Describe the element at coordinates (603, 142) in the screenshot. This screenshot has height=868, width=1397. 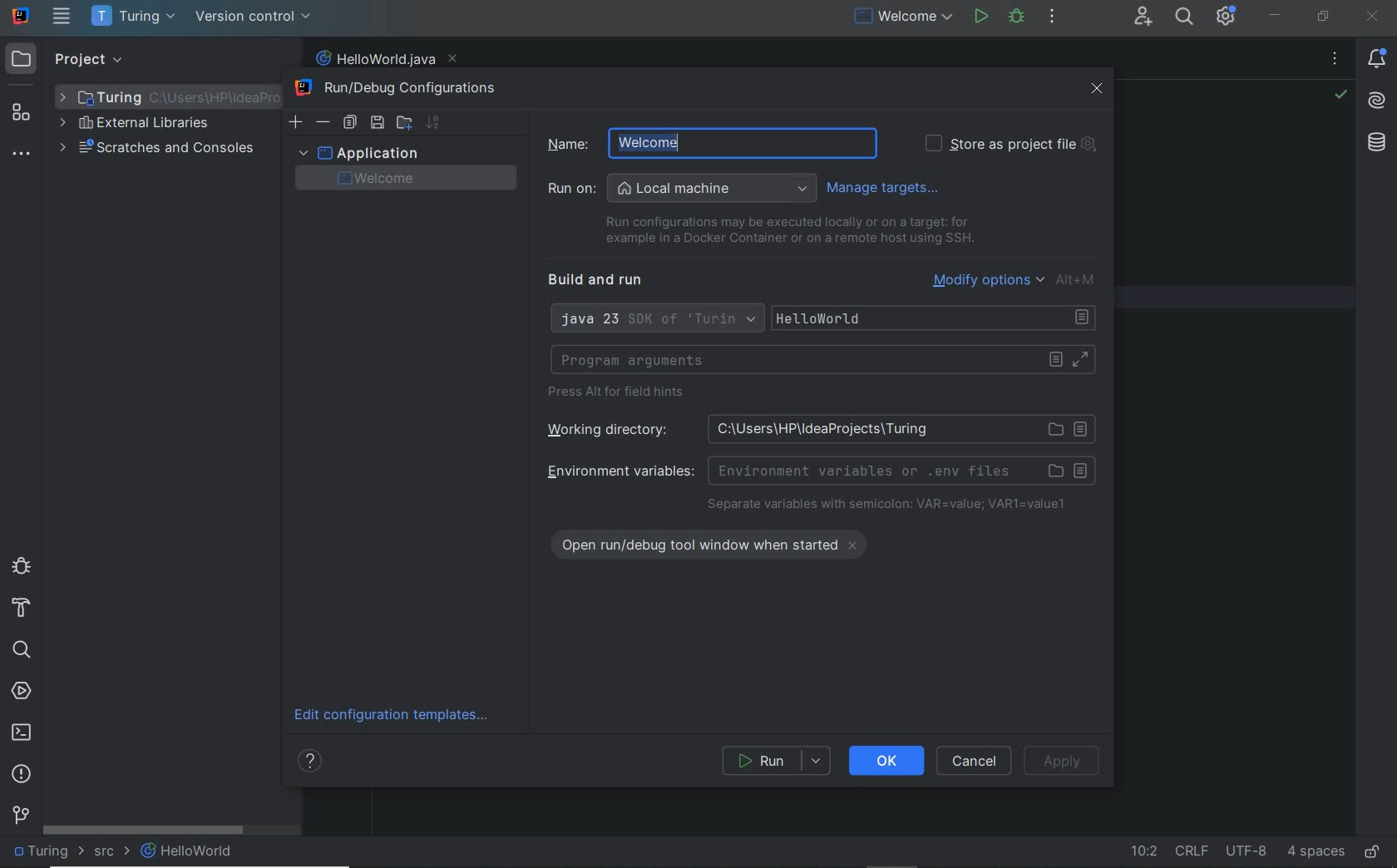
I see `Name` at that location.